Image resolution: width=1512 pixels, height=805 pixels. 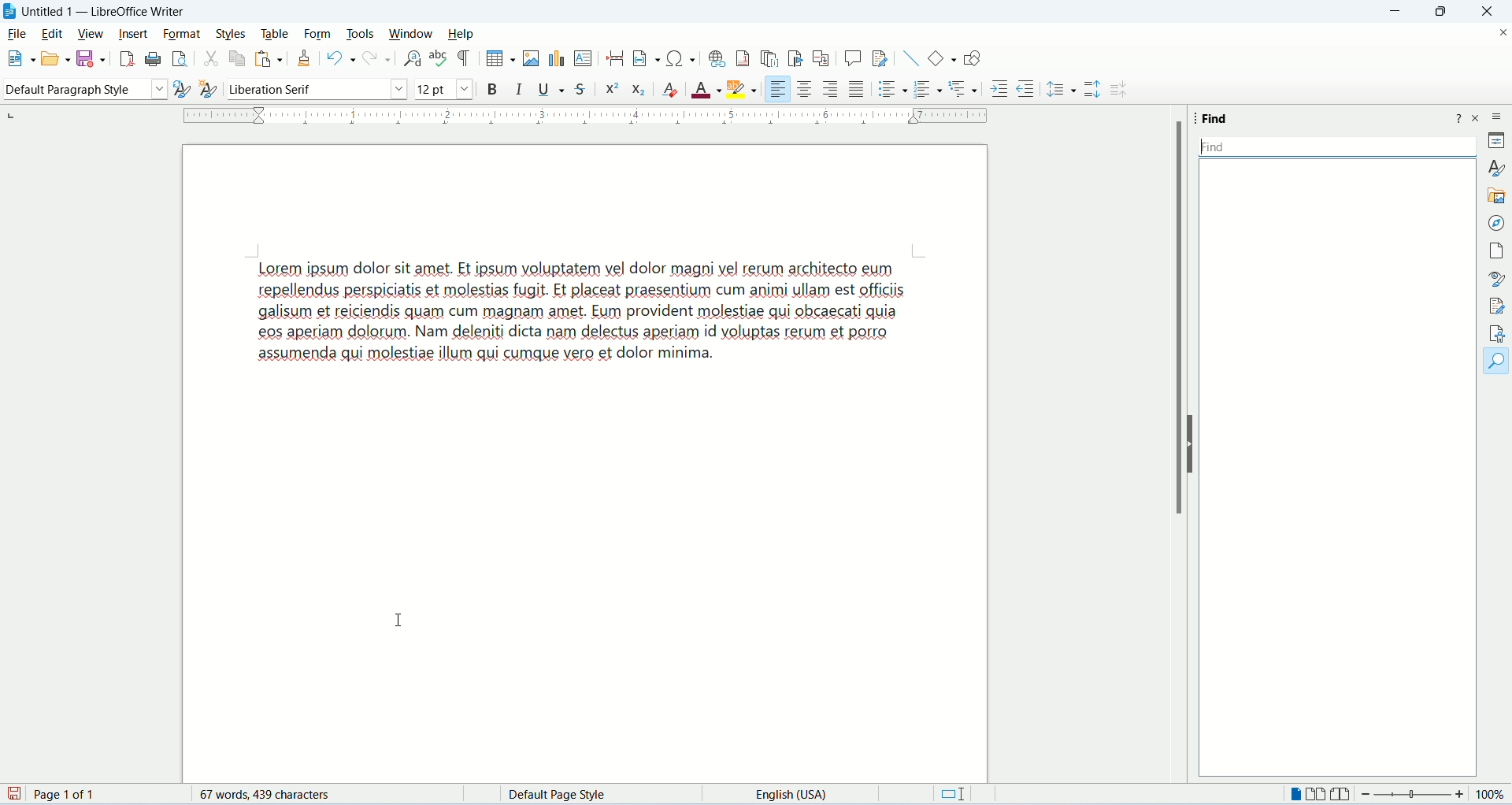 I want to click on file, so click(x=17, y=34).